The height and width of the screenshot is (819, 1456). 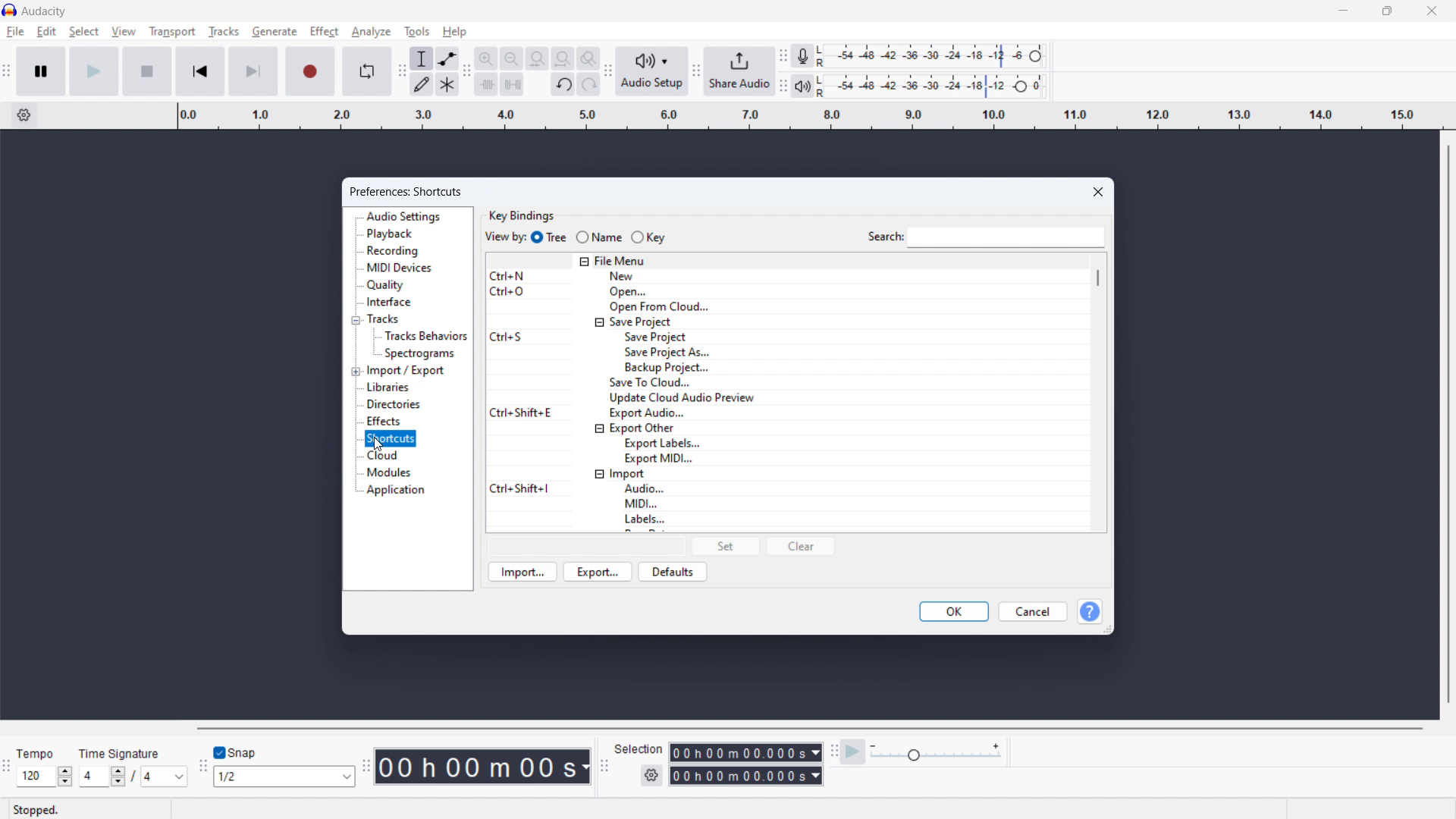 I want to click on play at speed, so click(x=853, y=752).